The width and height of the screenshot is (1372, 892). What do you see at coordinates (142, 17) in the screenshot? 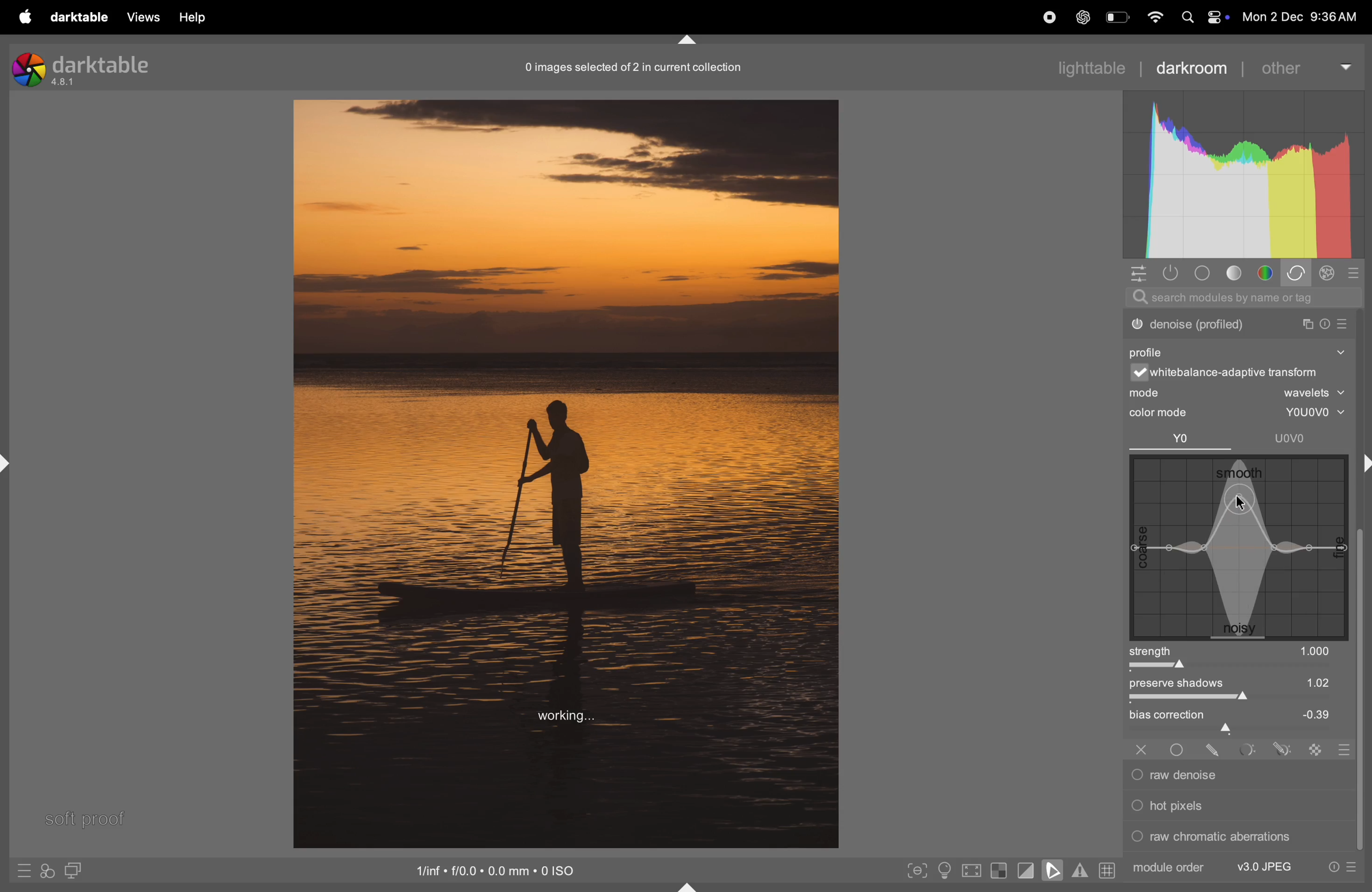
I see `views` at bounding box center [142, 17].